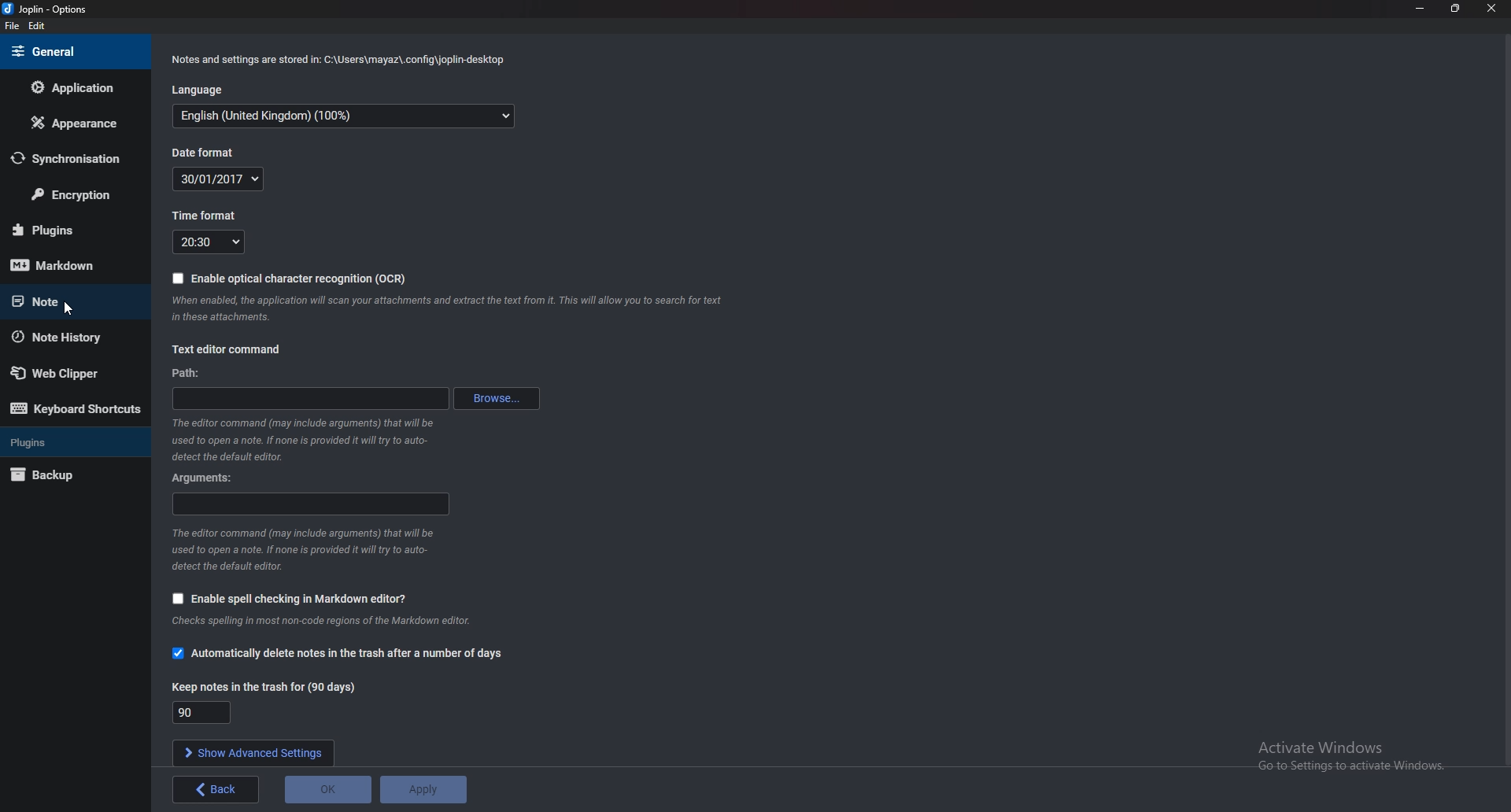 This screenshot has height=812, width=1511. I want to click on o K, so click(330, 788).